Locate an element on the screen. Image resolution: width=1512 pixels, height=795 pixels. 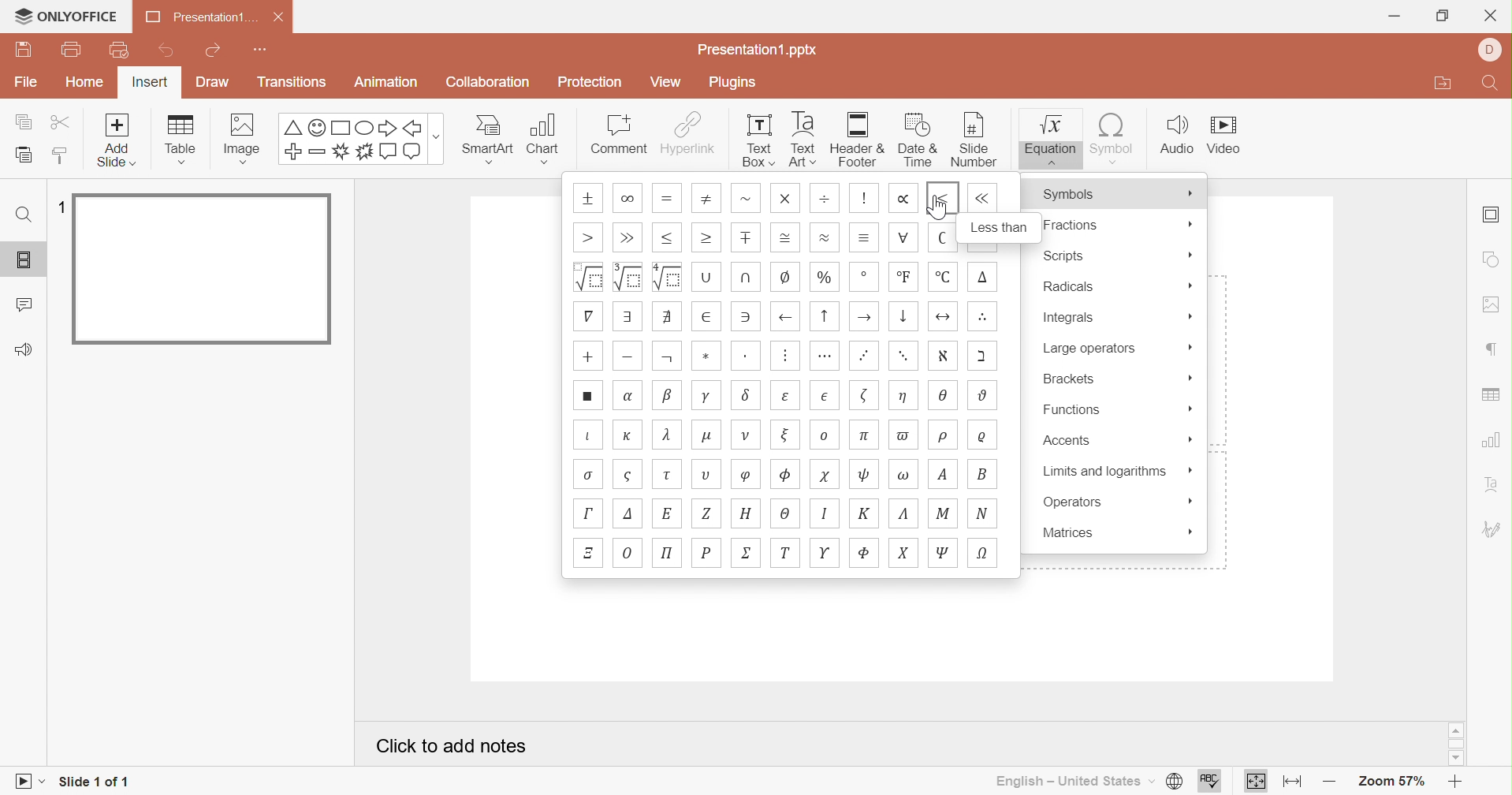
Print is located at coordinates (73, 52).